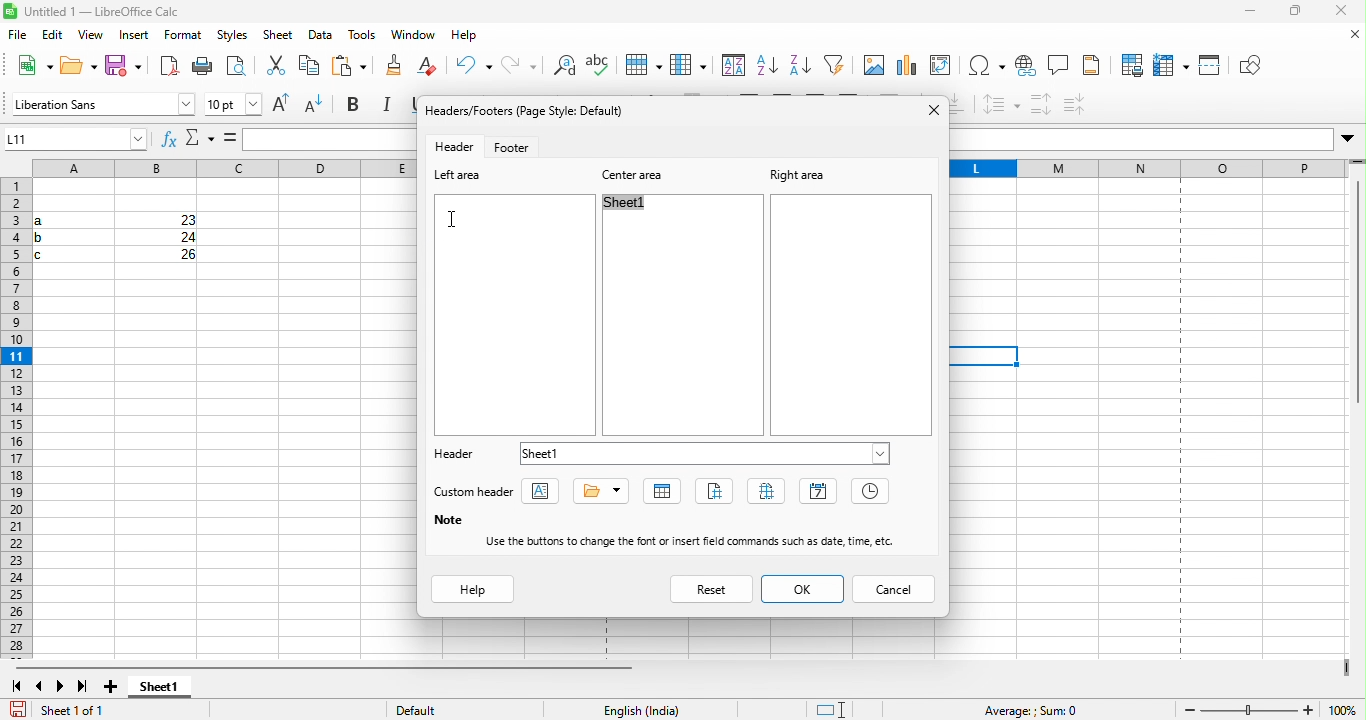 This screenshot has width=1366, height=720. Describe the element at coordinates (766, 490) in the screenshot. I see `pages` at that location.